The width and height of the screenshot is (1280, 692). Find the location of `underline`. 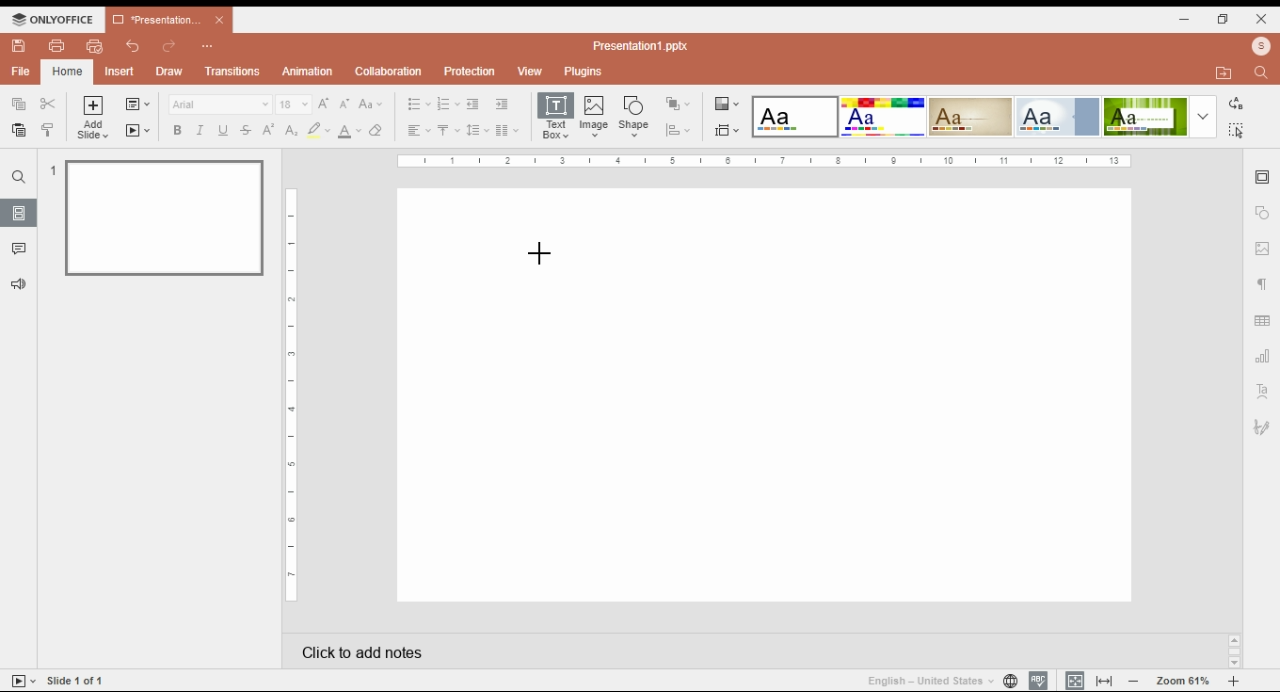

underline is located at coordinates (224, 130).